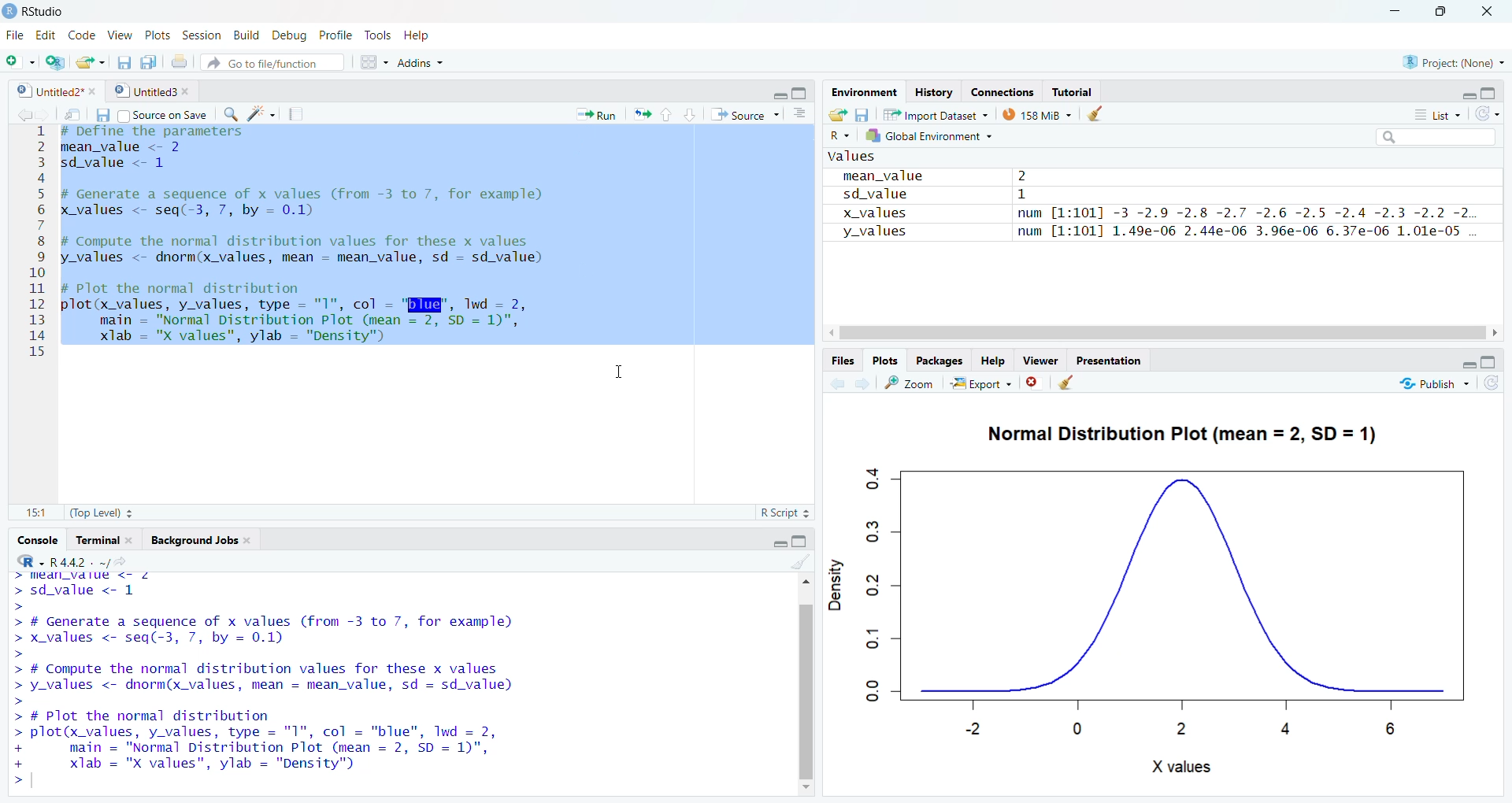 Image resolution: width=1512 pixels, height=803 pixels. What do you see at coordinates (840, 134) in the screenshot?
I see `R~` at bounding box center [840, 134].